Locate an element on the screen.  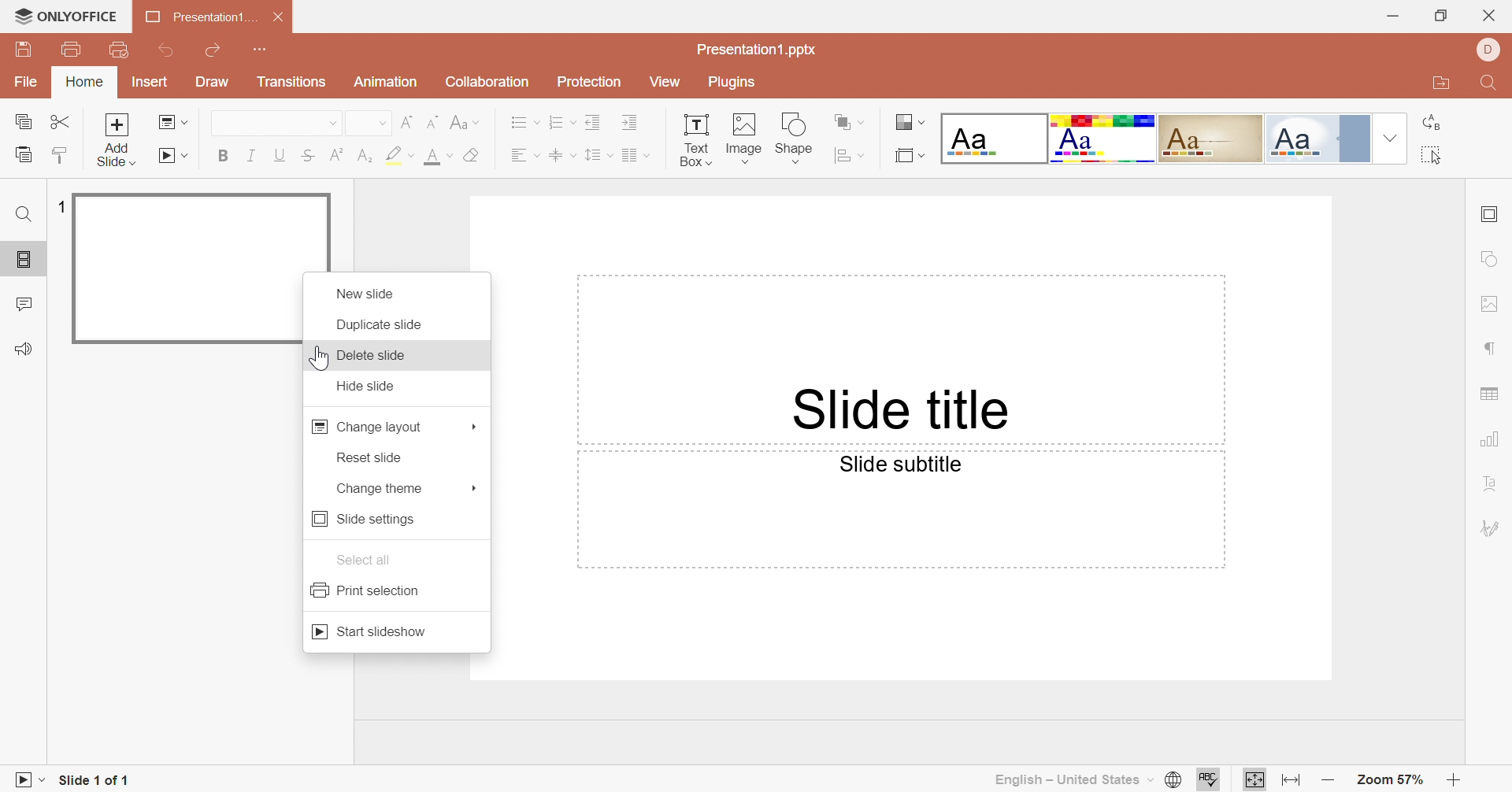
Decrease Indent is located at coordinates (593, 120).